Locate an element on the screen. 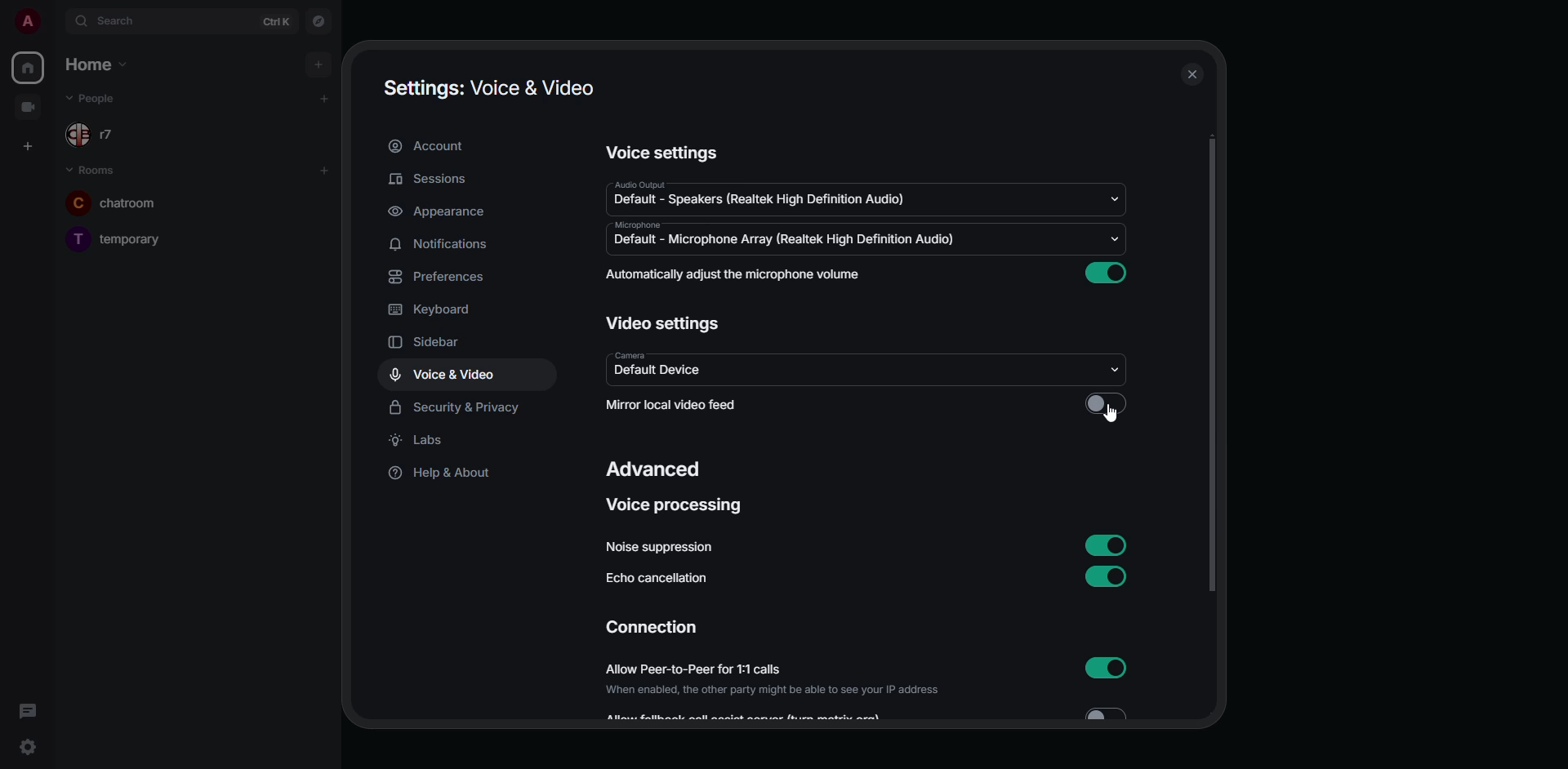 The height and width of the screenshot is (769, 1568). echo cancellation is located at coordinates (659, 578).